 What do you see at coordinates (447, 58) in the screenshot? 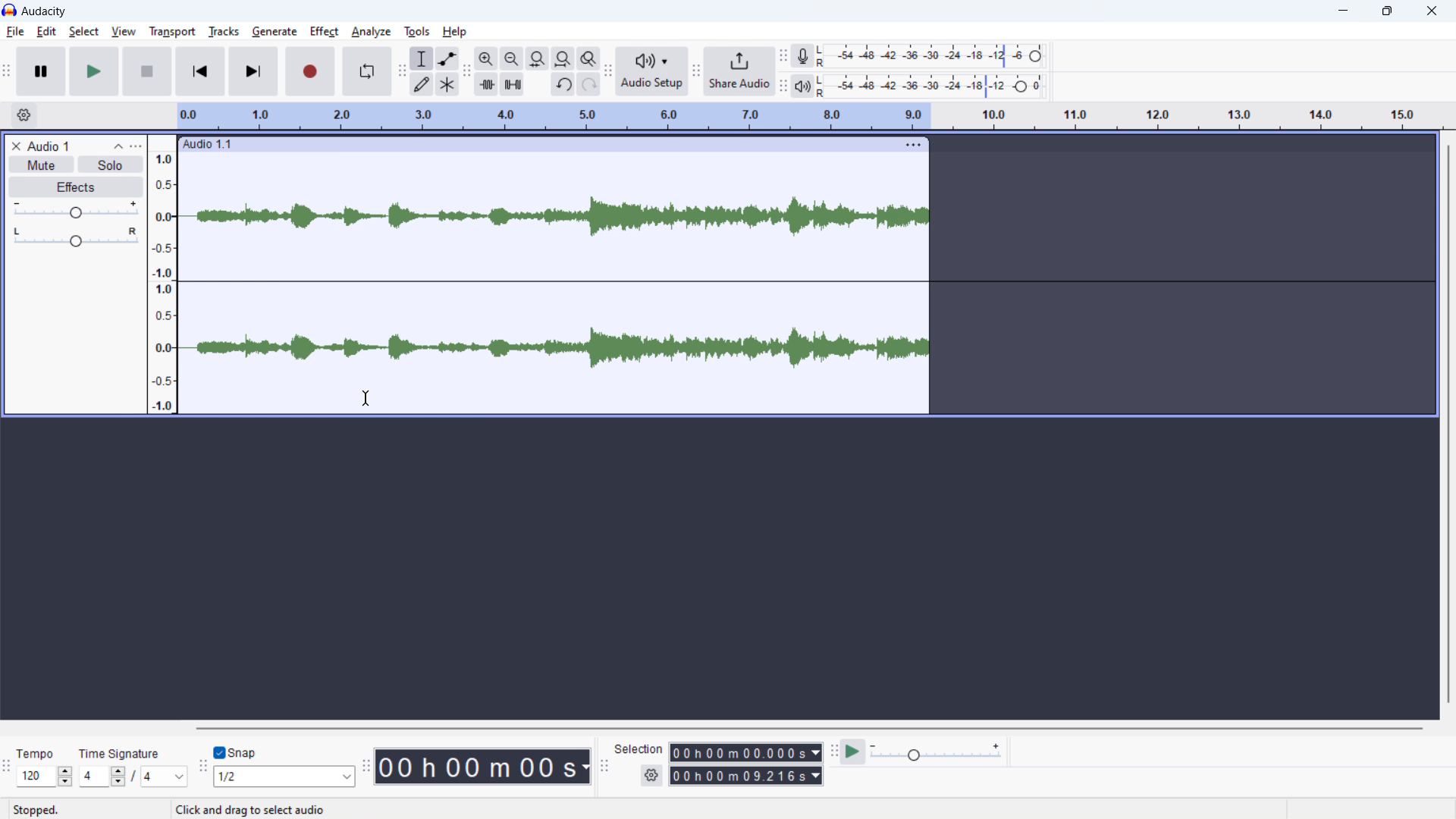
I see `envelop tool` at bounding box center [447, 58].